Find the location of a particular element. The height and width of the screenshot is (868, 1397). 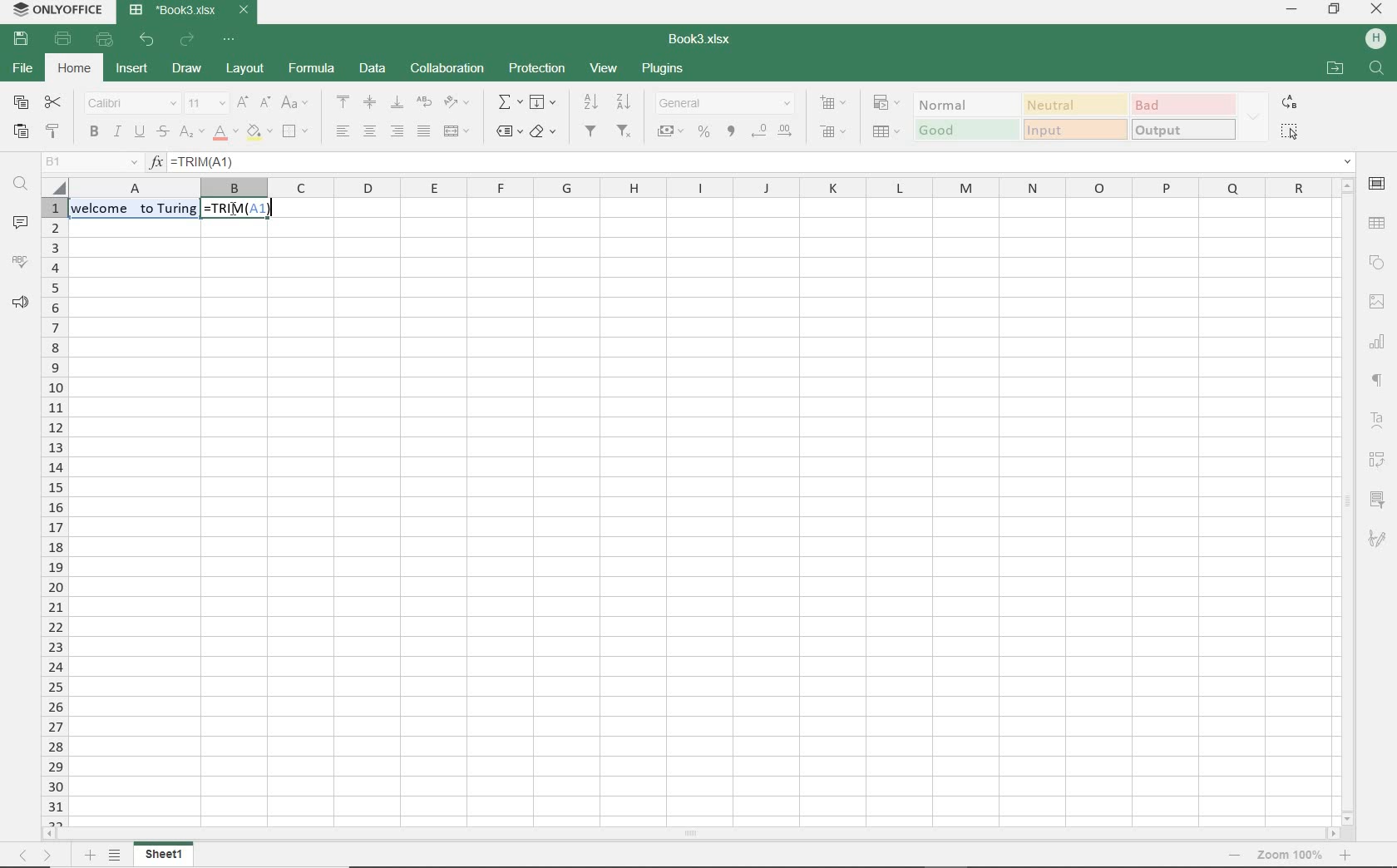

home is located at coordinates (74, 70).